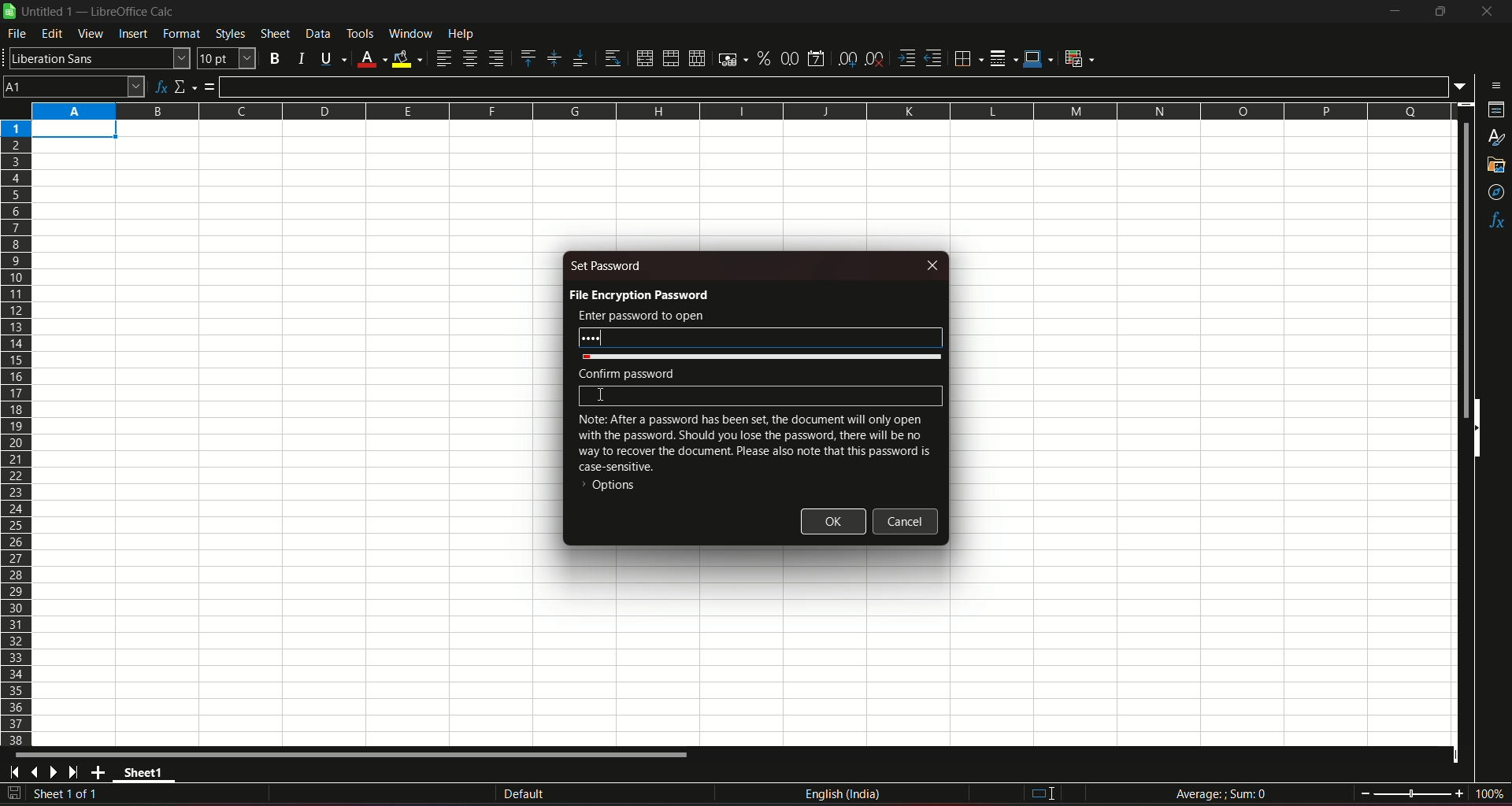 The image size is (1512, 806). I want to click on italic, so click(299, 57).